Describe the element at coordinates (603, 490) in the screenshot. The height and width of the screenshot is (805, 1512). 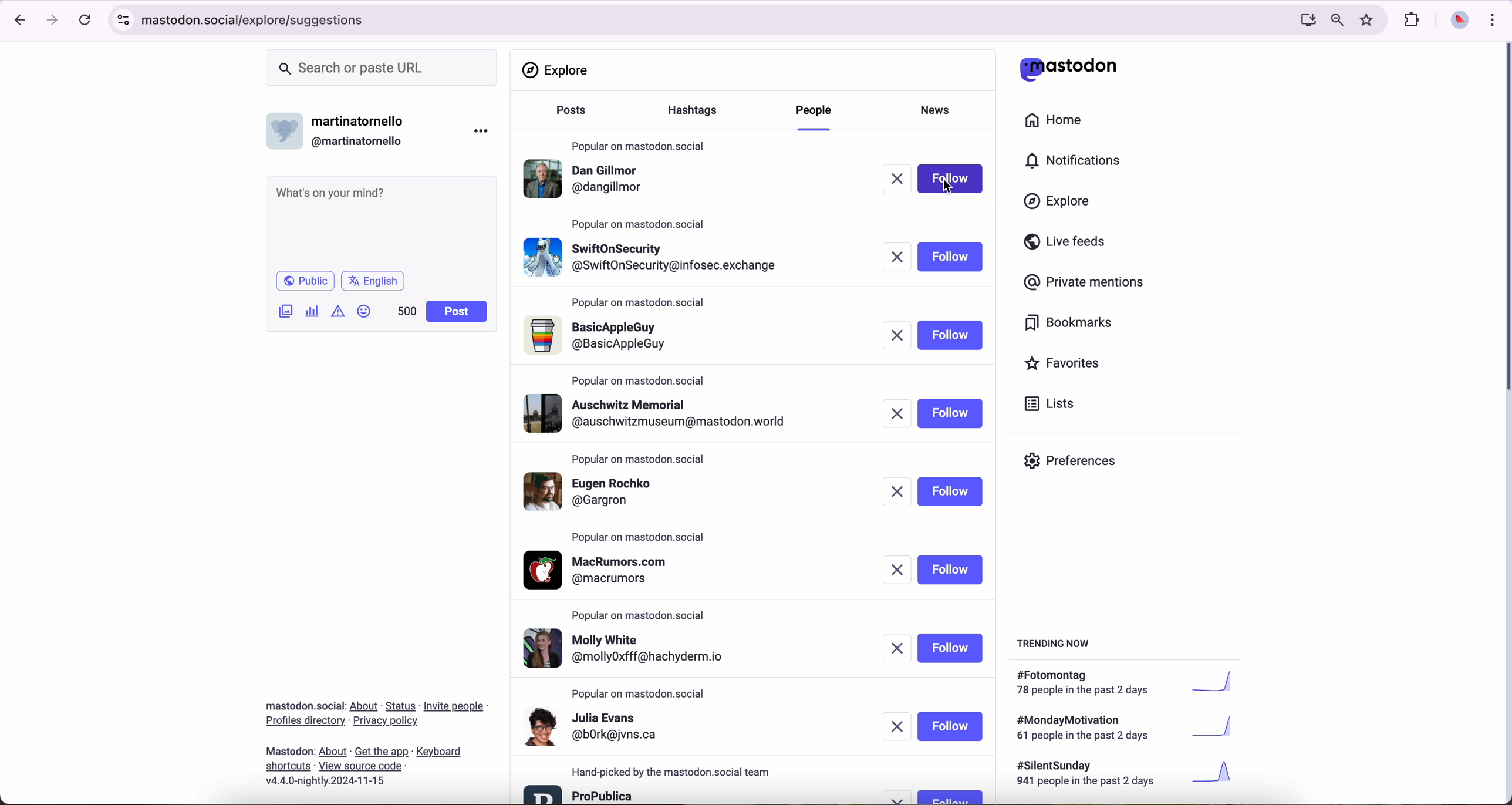
I see `profile` at that location.